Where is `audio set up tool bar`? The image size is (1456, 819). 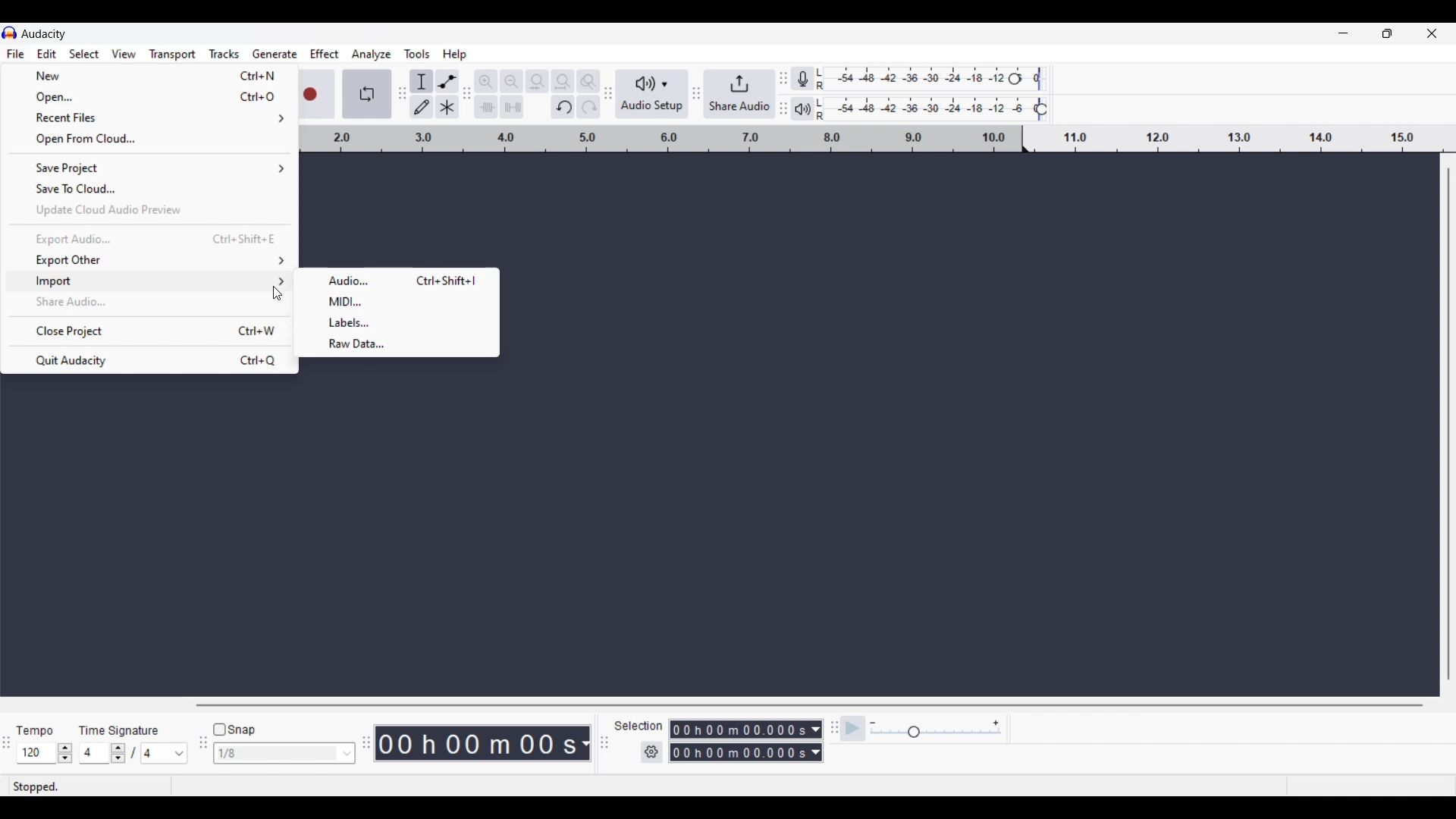 audio set up tool bar is located at coordinates (607, 96).